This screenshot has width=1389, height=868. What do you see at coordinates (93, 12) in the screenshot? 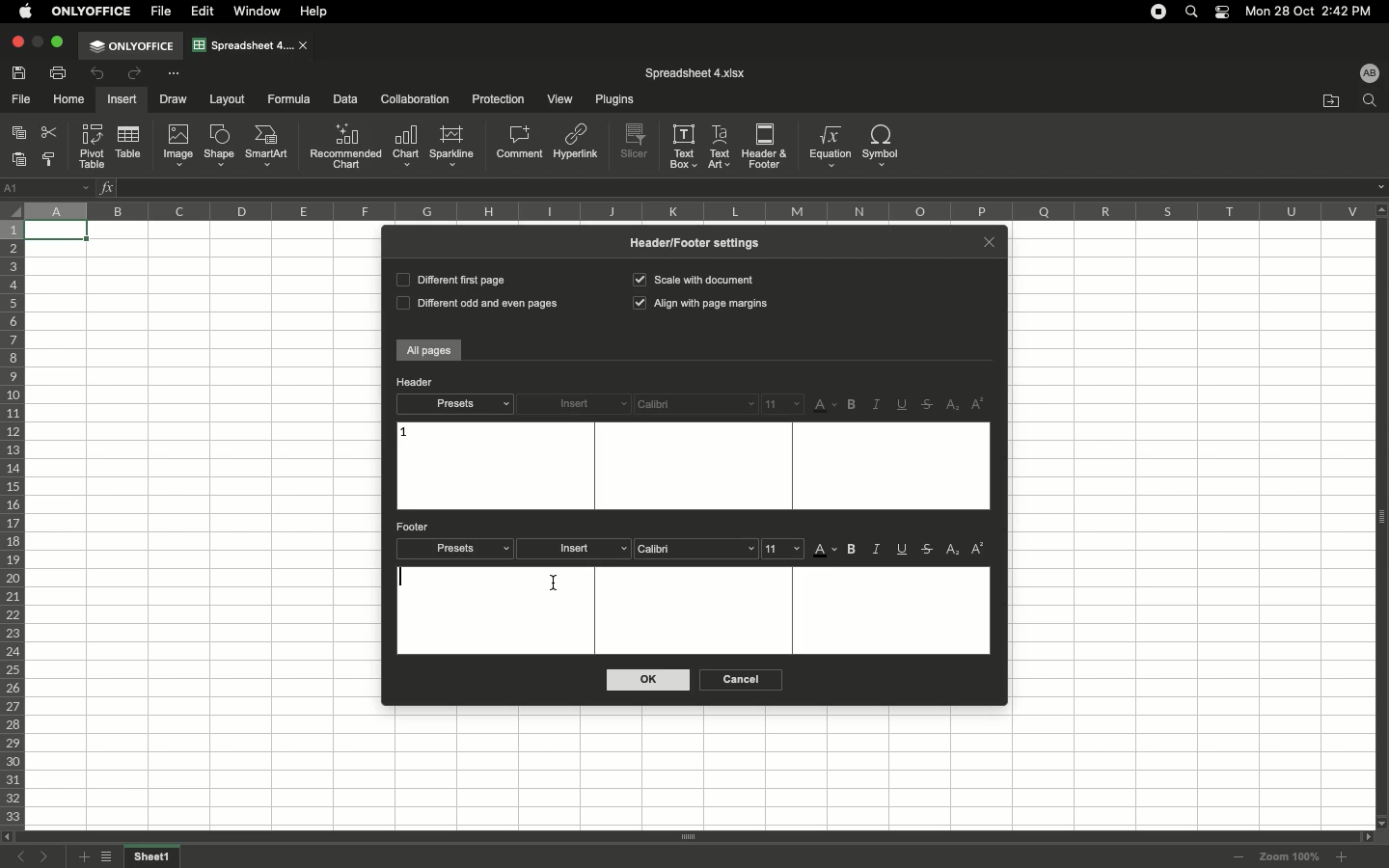
I see `OnlyOffice` at bounding box center [93, 12].